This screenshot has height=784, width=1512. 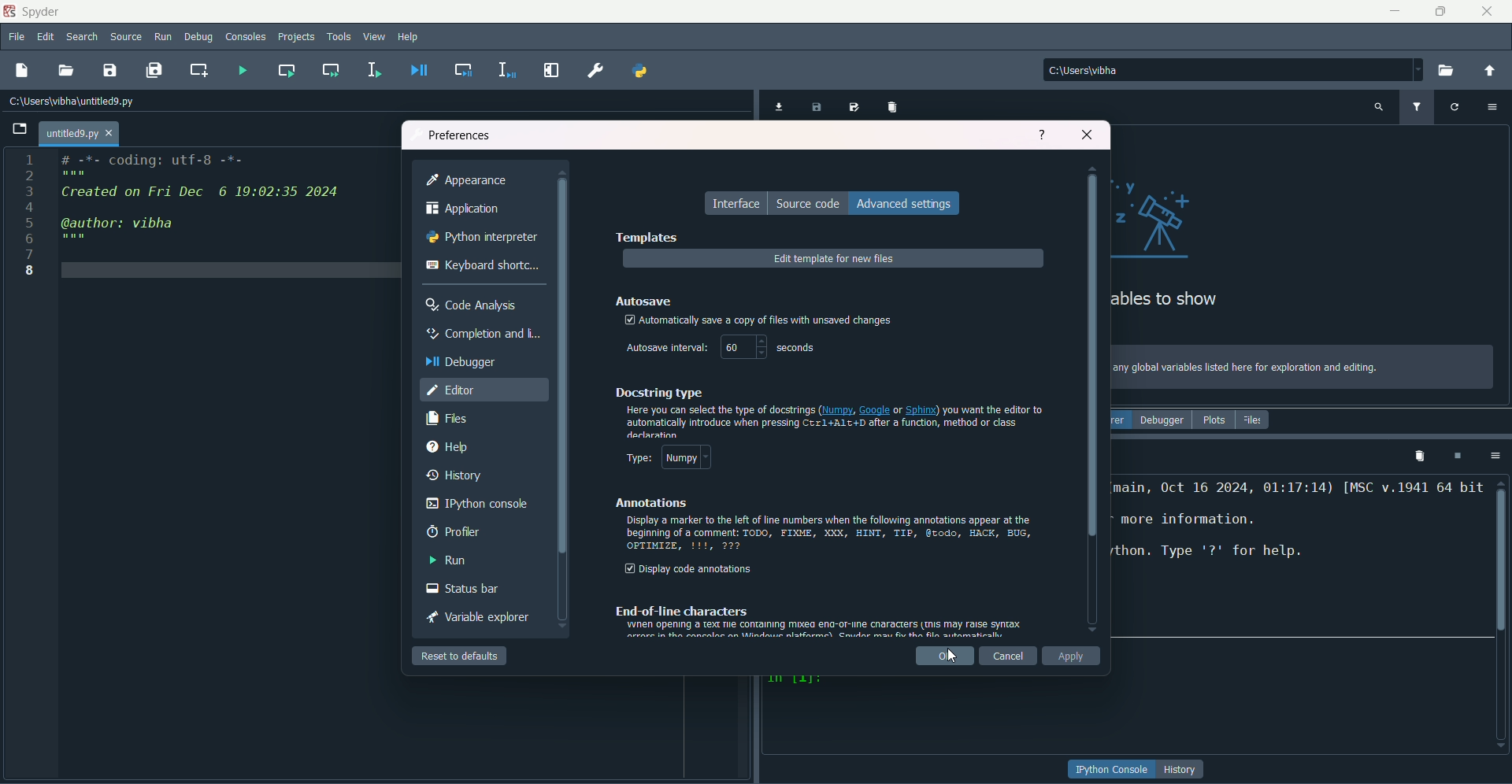 I want to click on save data as, so click(x=856, y=108).